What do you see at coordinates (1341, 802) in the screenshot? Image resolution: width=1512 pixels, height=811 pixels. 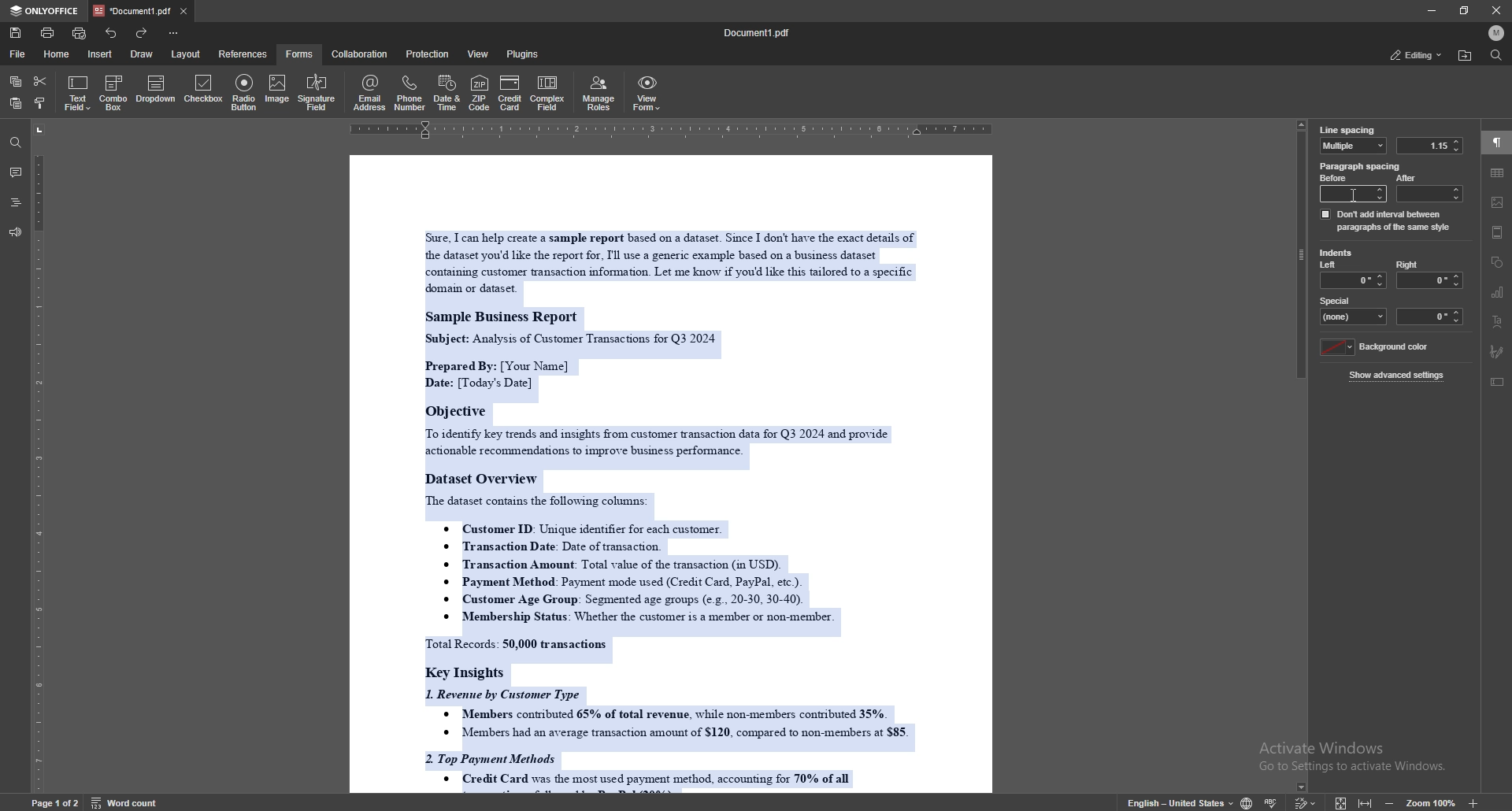 I see `fit to screen` at bounding box center [1341, 802].